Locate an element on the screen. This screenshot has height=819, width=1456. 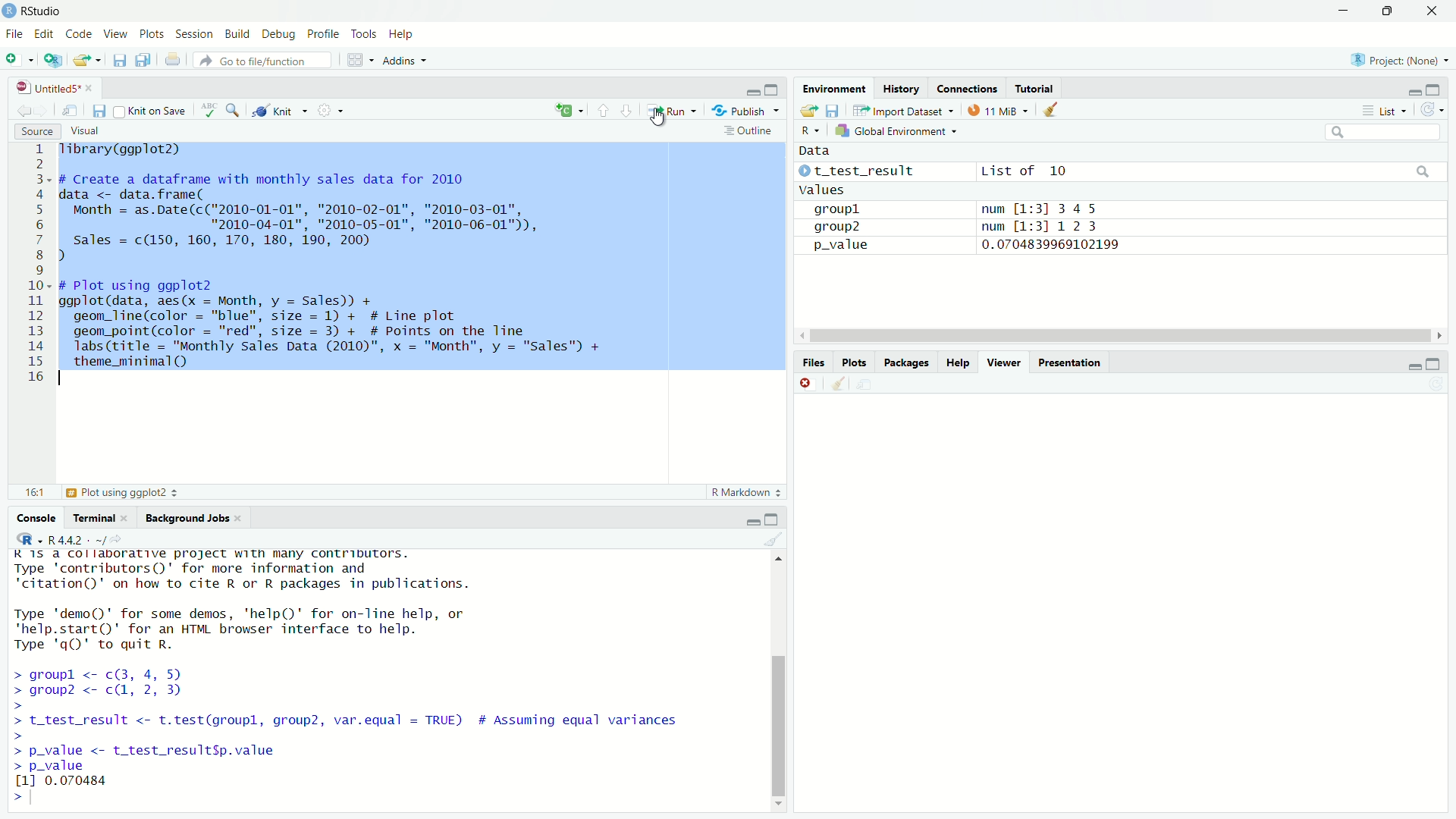
Project: (None)  is located at coordinates (1403, 58).